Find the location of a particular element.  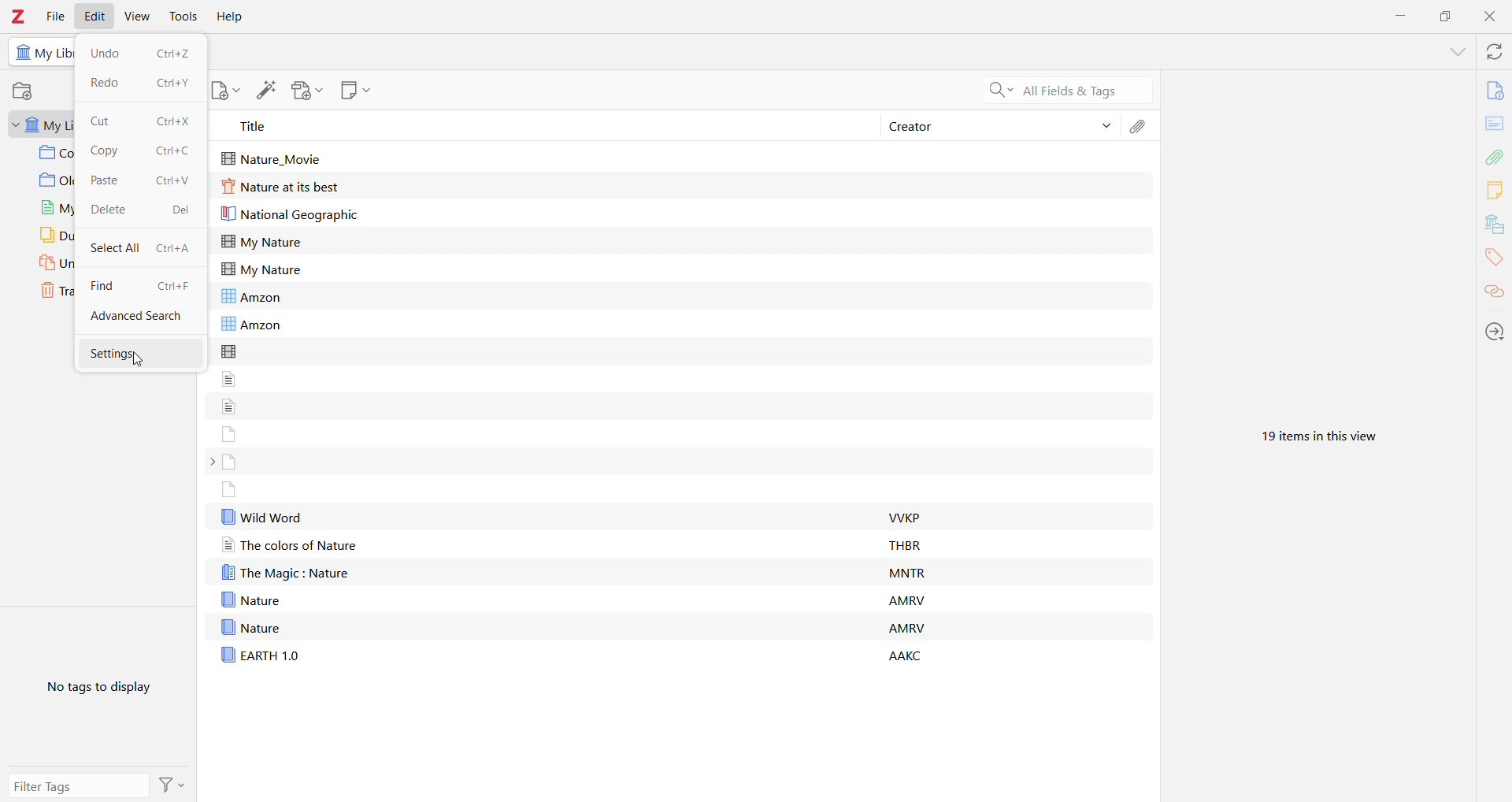

Copy is located at coordinates (113, 152).